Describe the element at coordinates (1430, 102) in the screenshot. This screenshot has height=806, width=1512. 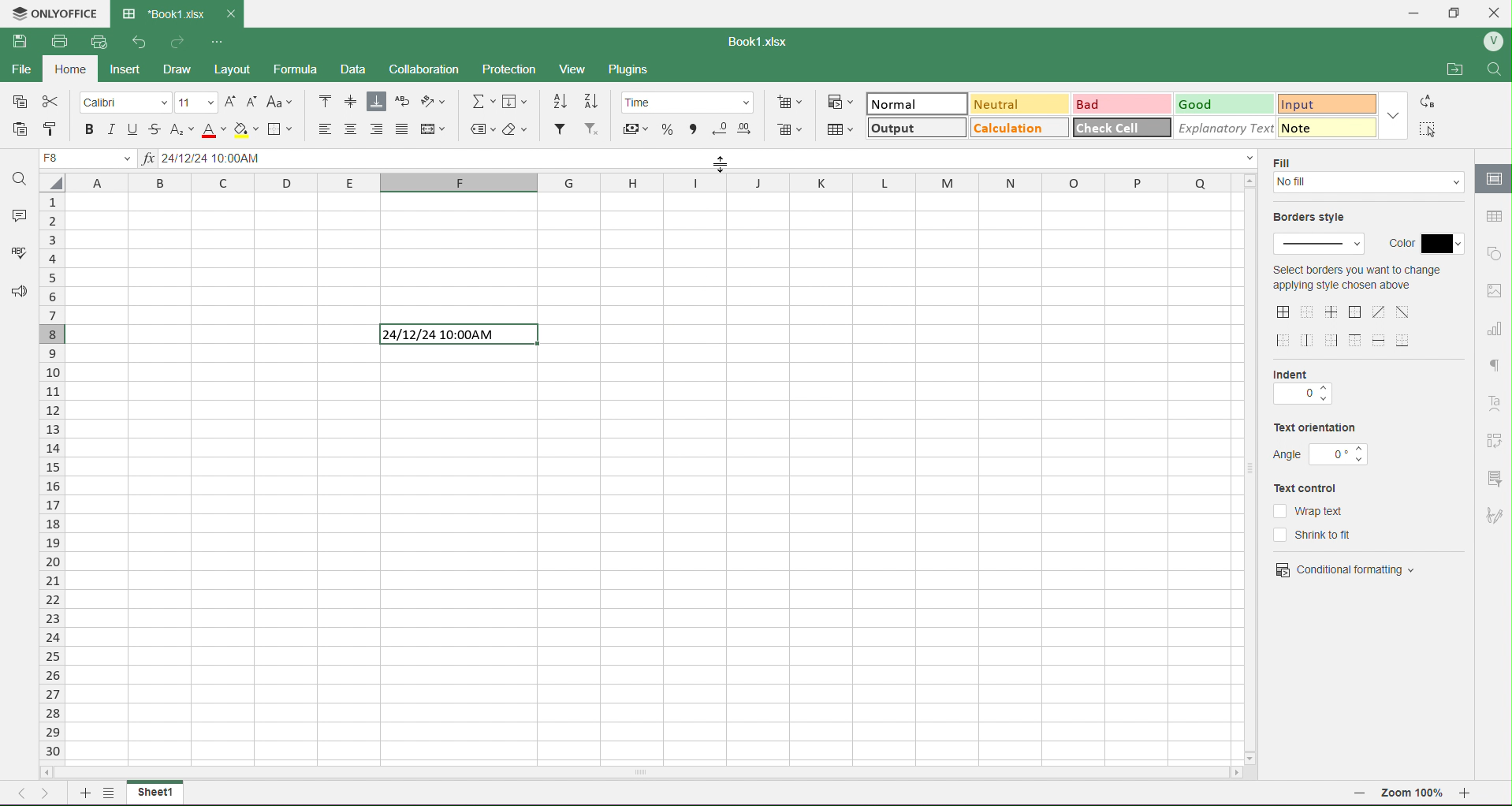
I see `Replace` at that location.